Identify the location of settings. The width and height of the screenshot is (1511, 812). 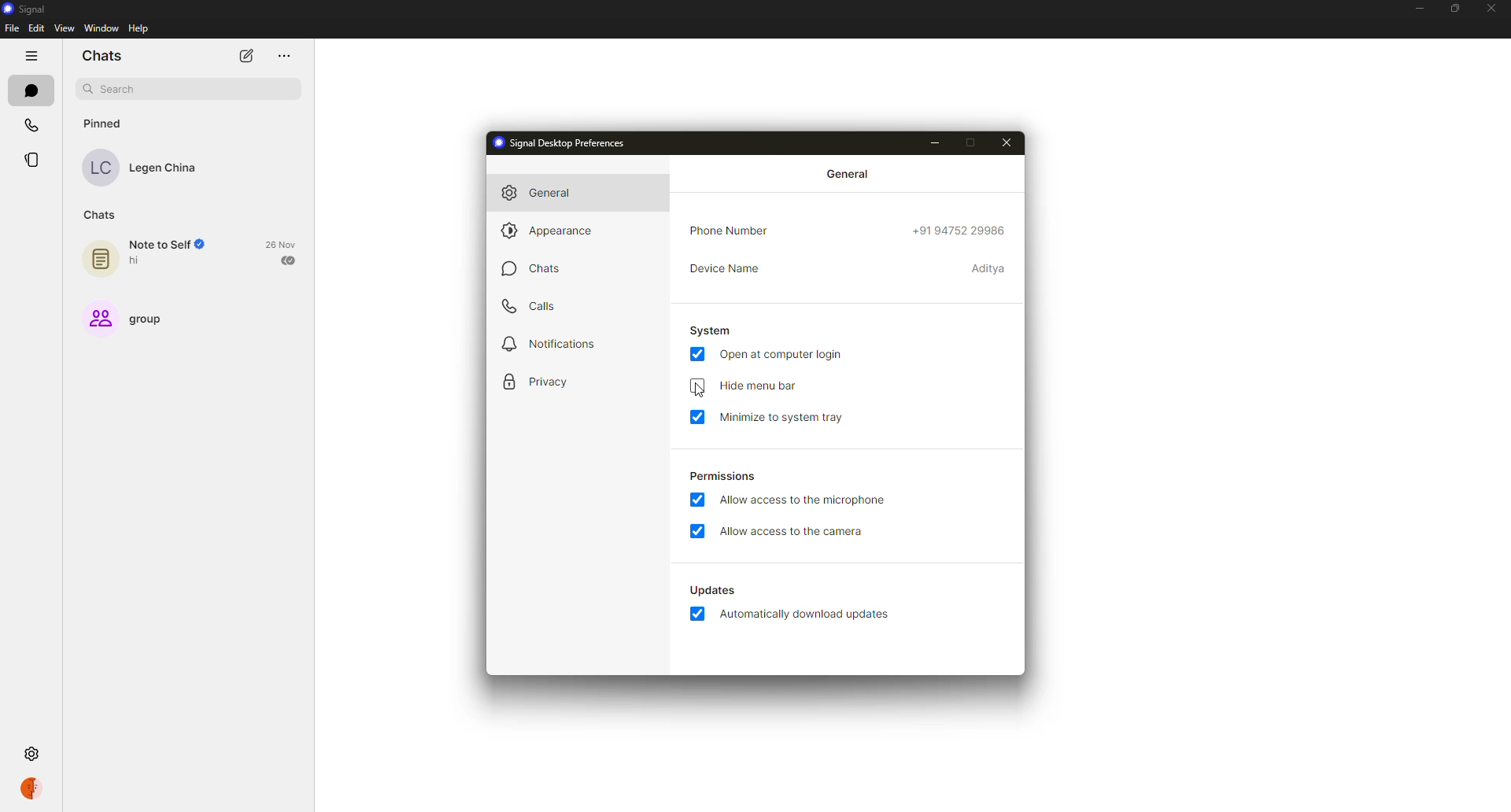
(35, 752).